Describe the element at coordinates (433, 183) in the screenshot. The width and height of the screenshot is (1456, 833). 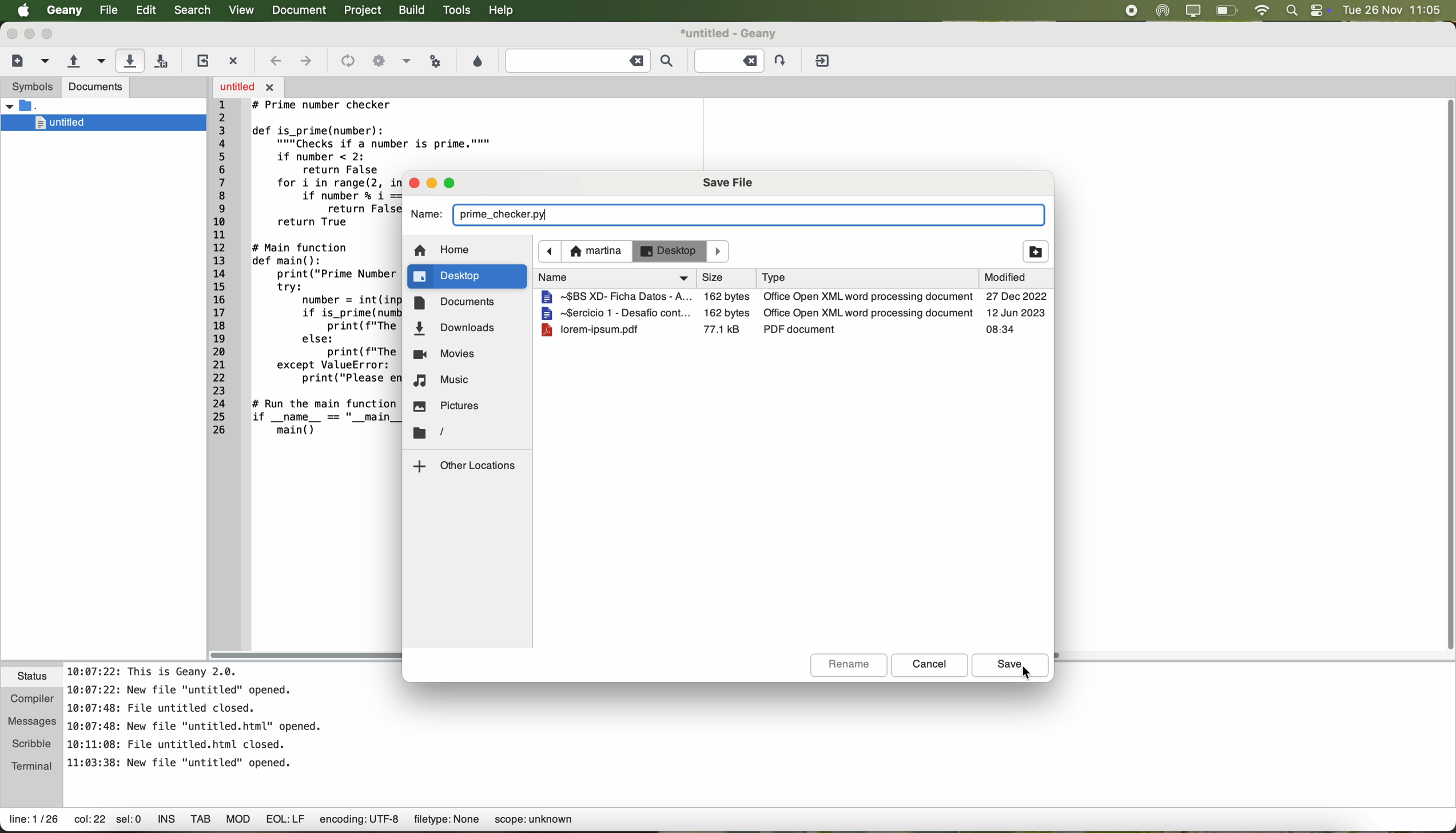
I see `minimize pop-up` at that location.